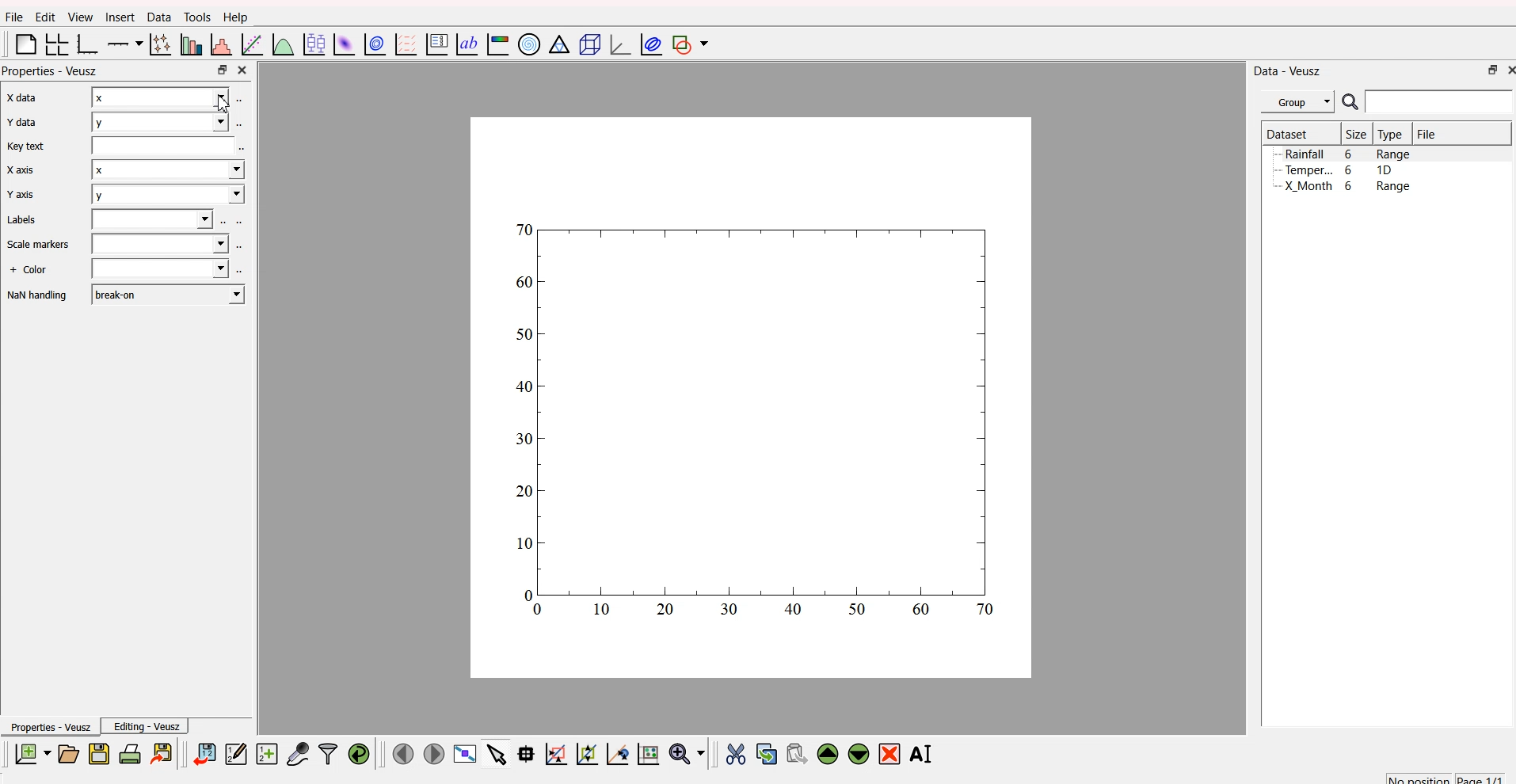  What do you see at coordinates (693, 45) in the screenshot?
I see `add shape to plot` at bounding box center [693, 45].